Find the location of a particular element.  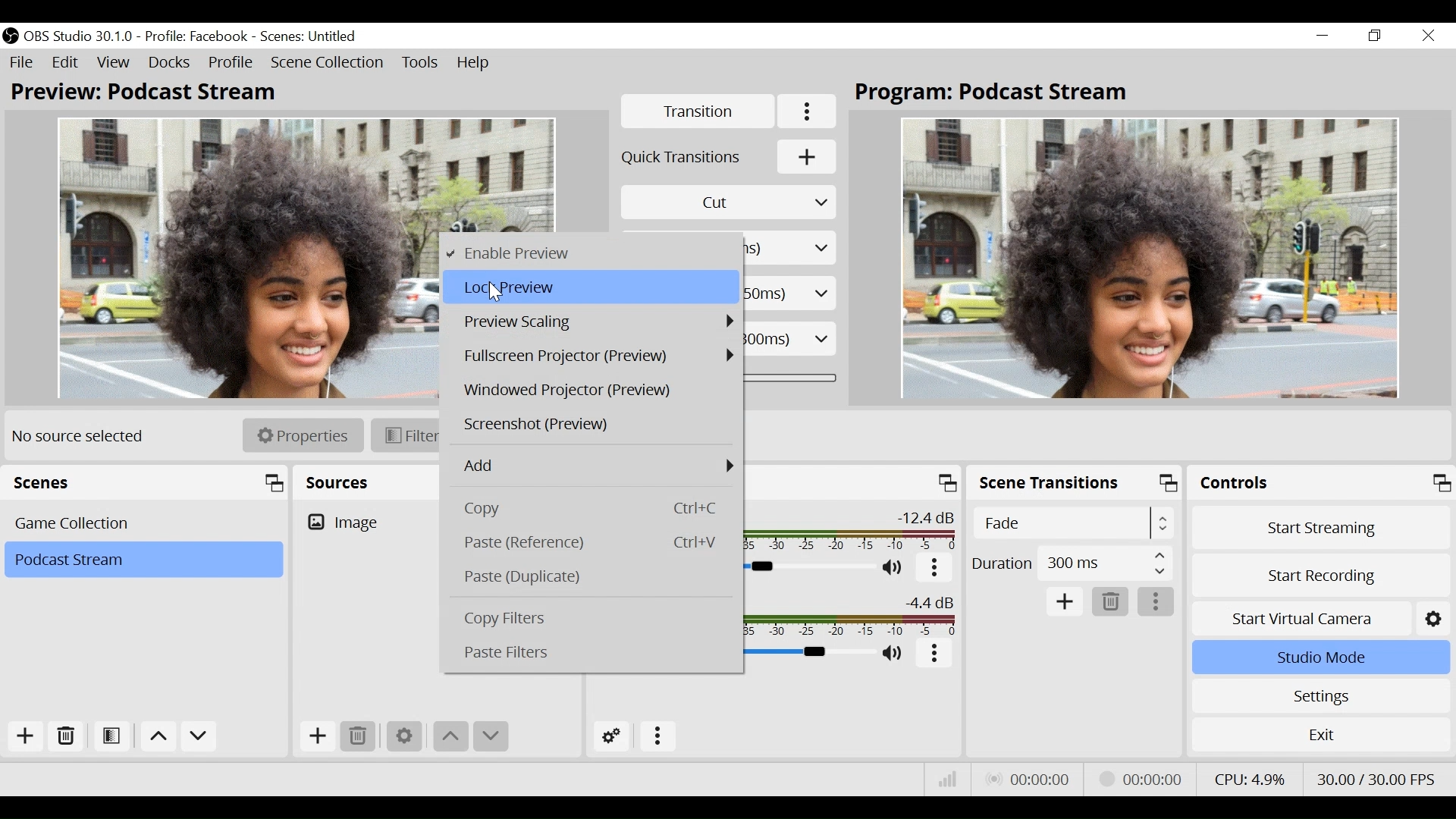

Cursor  is located at coordinates (497, 291).